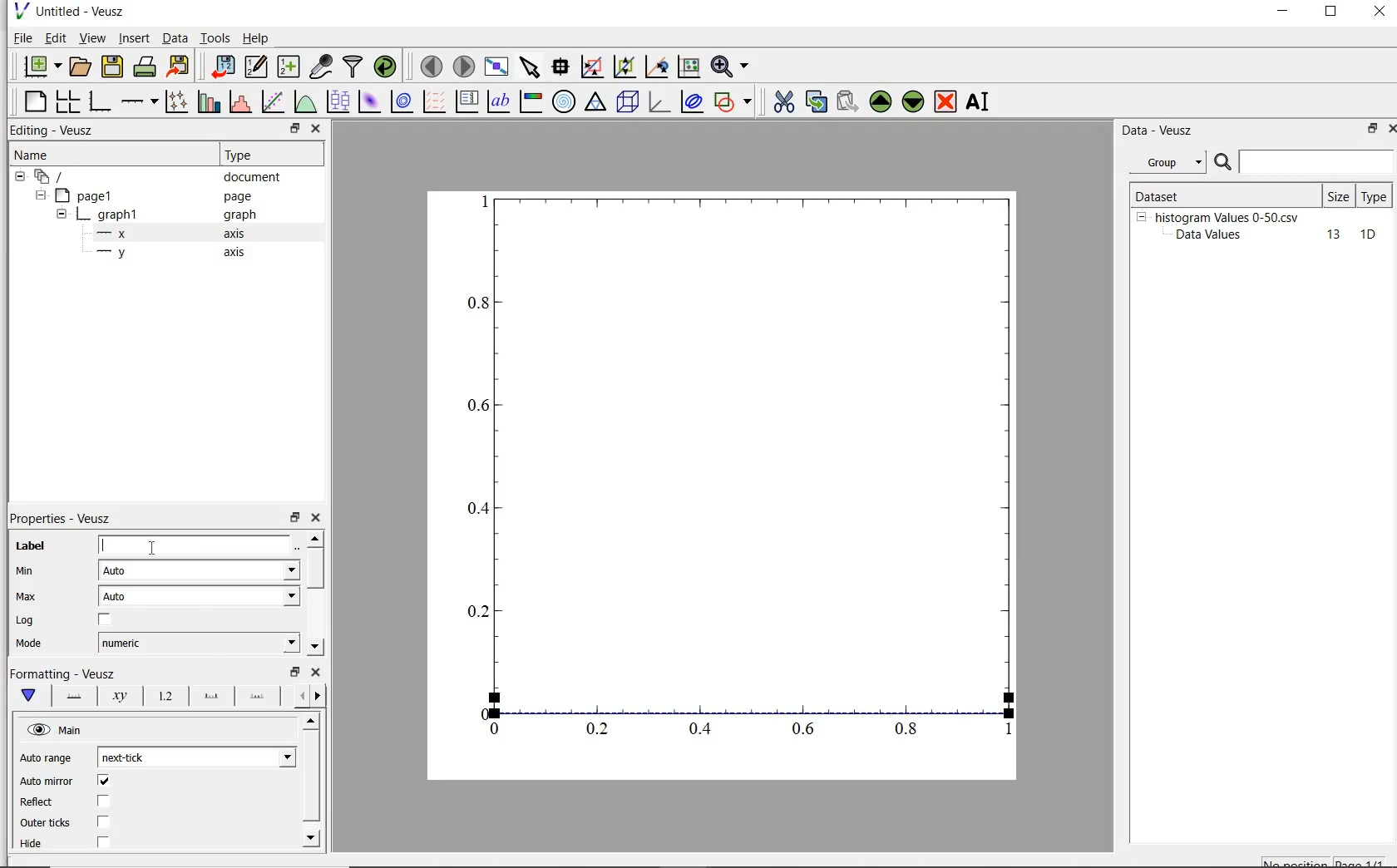  I want to click on main formatting, so click(31, 696).